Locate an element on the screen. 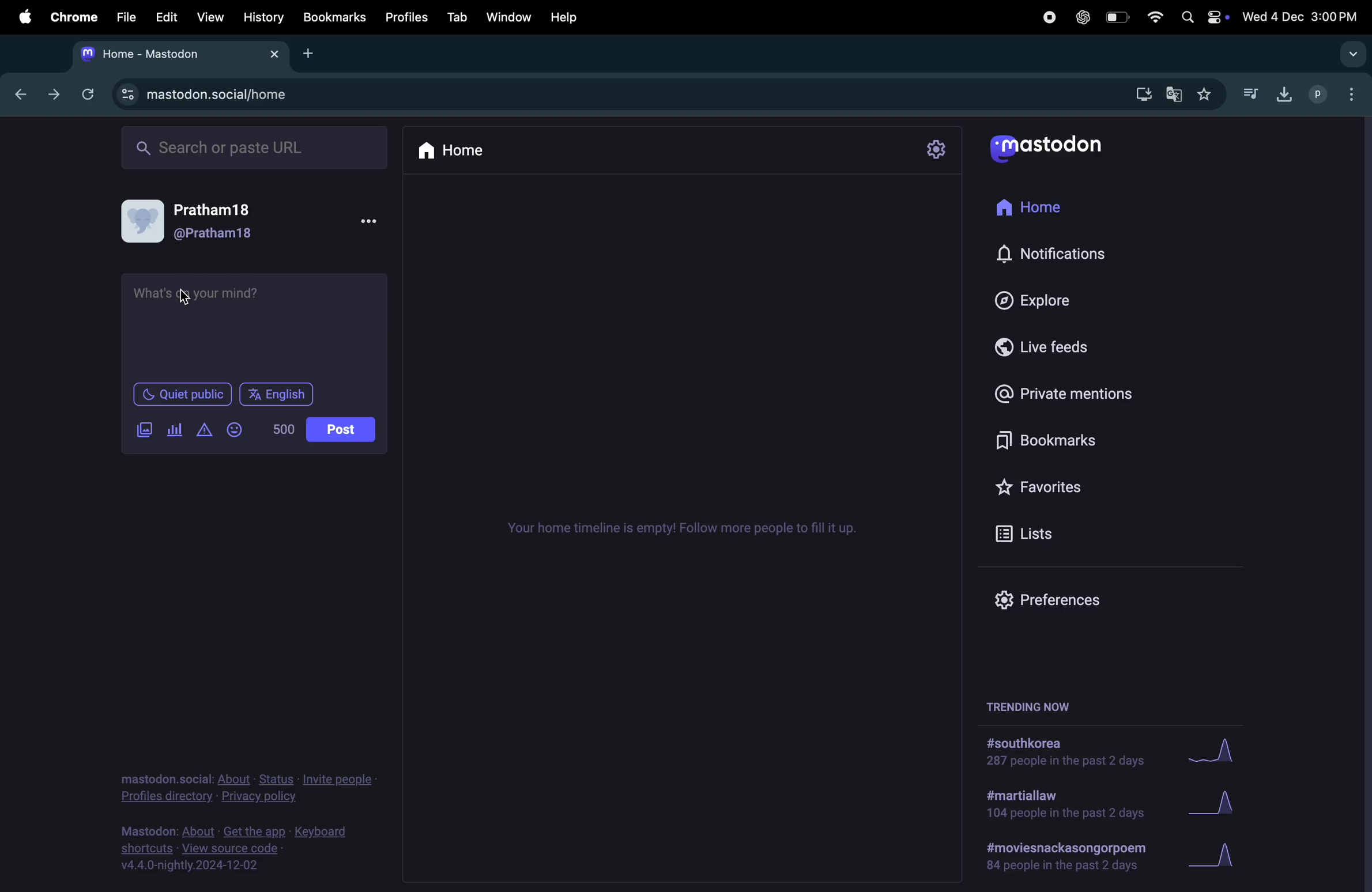  view source code is located at coordinates (237, 849).